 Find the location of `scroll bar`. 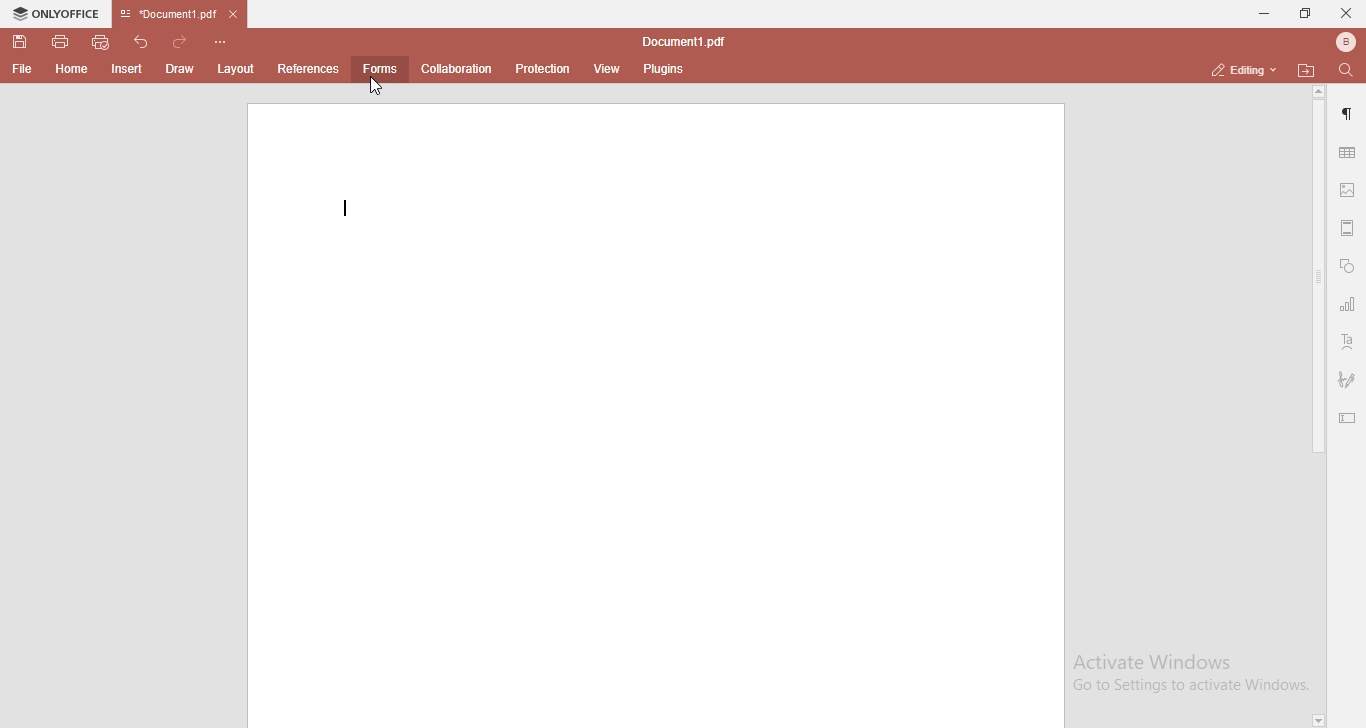

scroll bar is located at coordinates (1316, 276).